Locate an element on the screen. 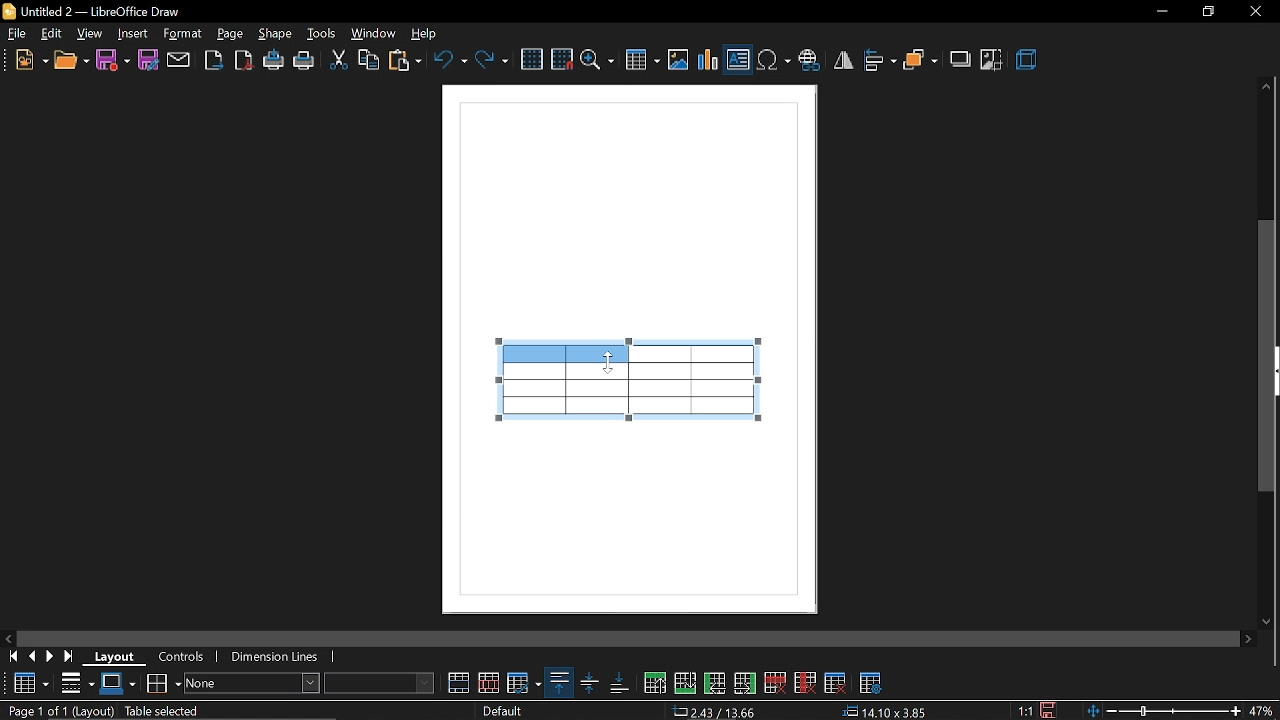 This screenshot has width=1280, height=720. Minimize is located at coordinates (1157, 12).